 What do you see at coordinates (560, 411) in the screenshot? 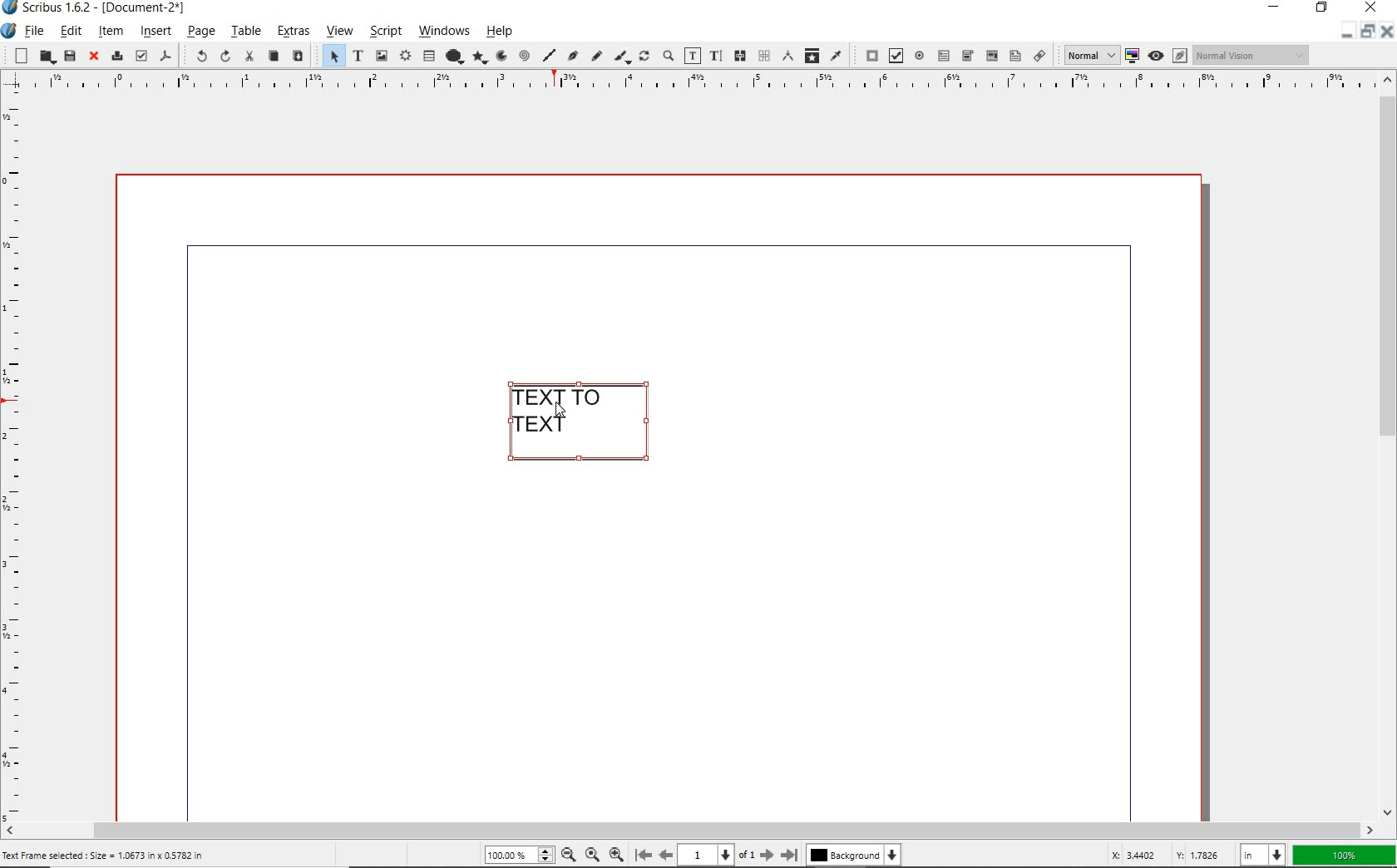
I see `CURSOR` at bounding box center [560, 411].